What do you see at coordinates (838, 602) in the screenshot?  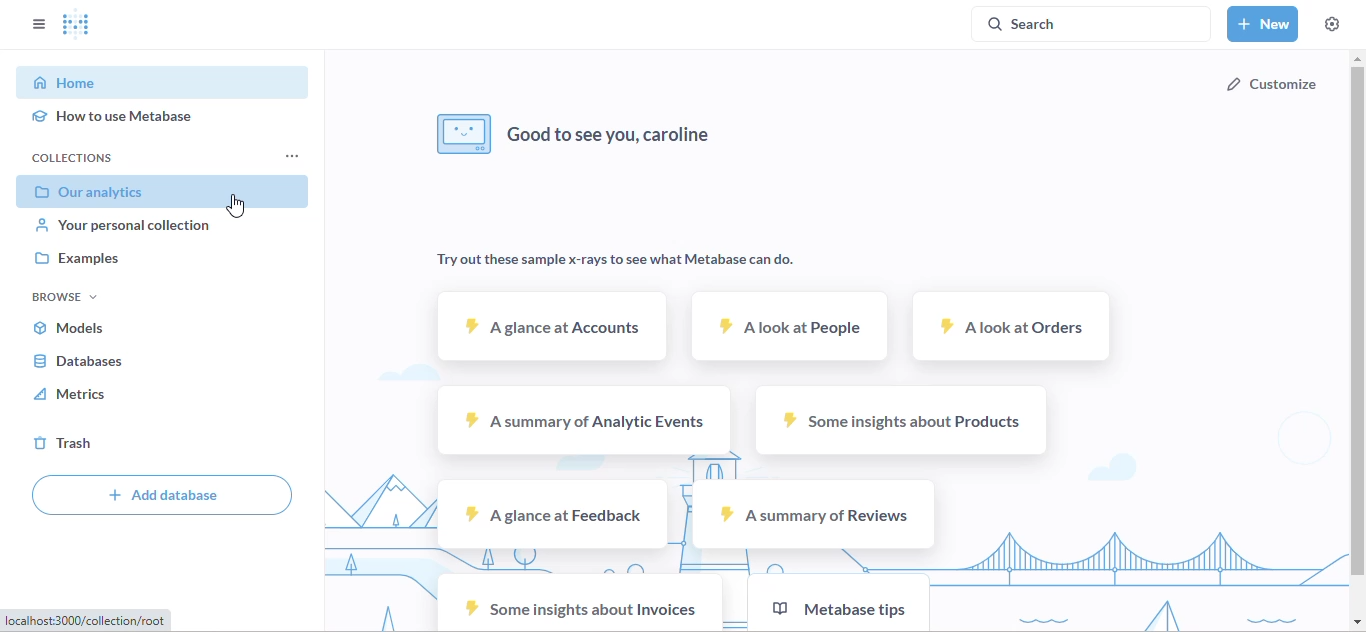 I see `metabase tips` at bounding box center [838, 602].